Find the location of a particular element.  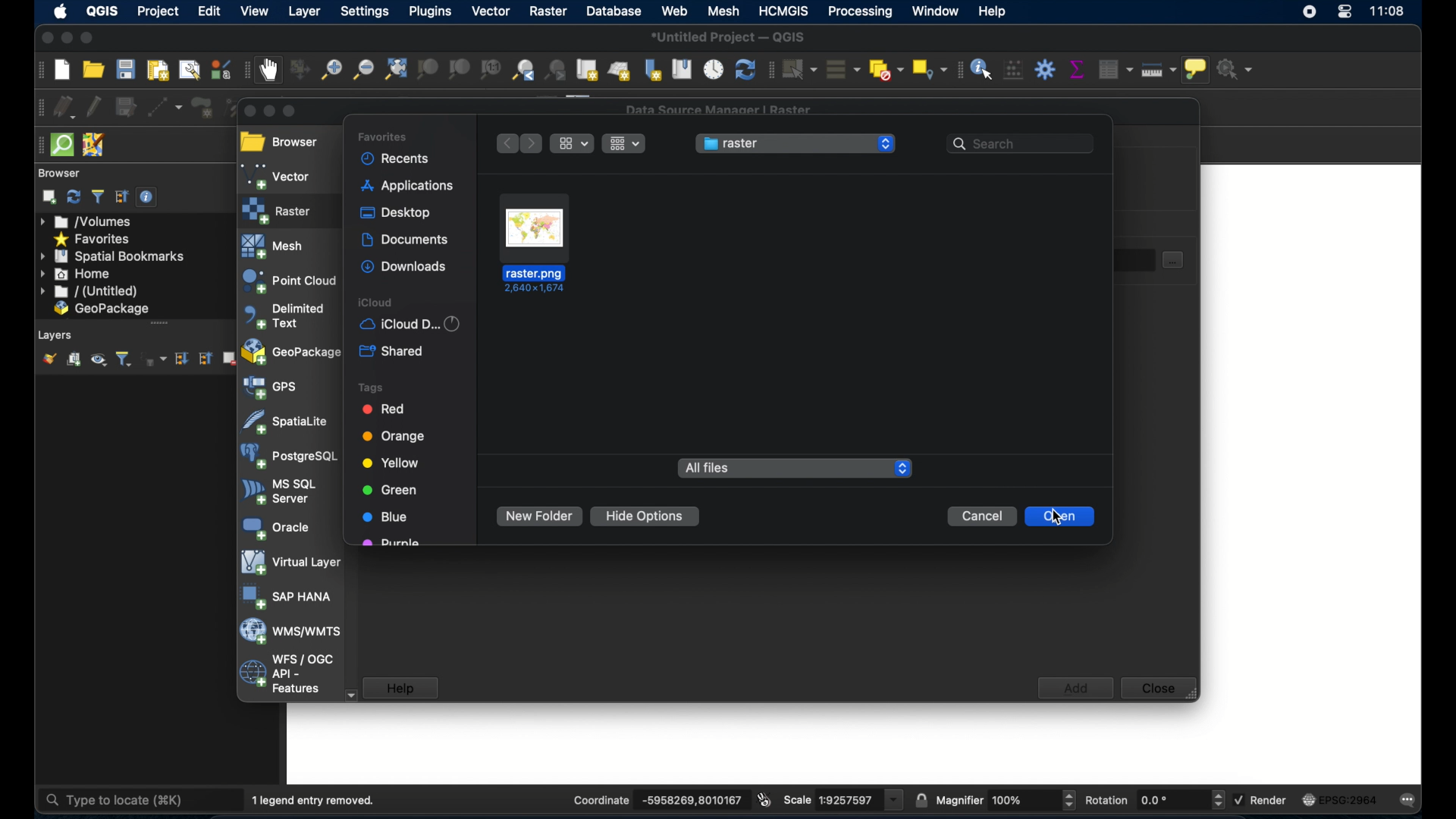

zoom full is located at coordinates (394, 68).